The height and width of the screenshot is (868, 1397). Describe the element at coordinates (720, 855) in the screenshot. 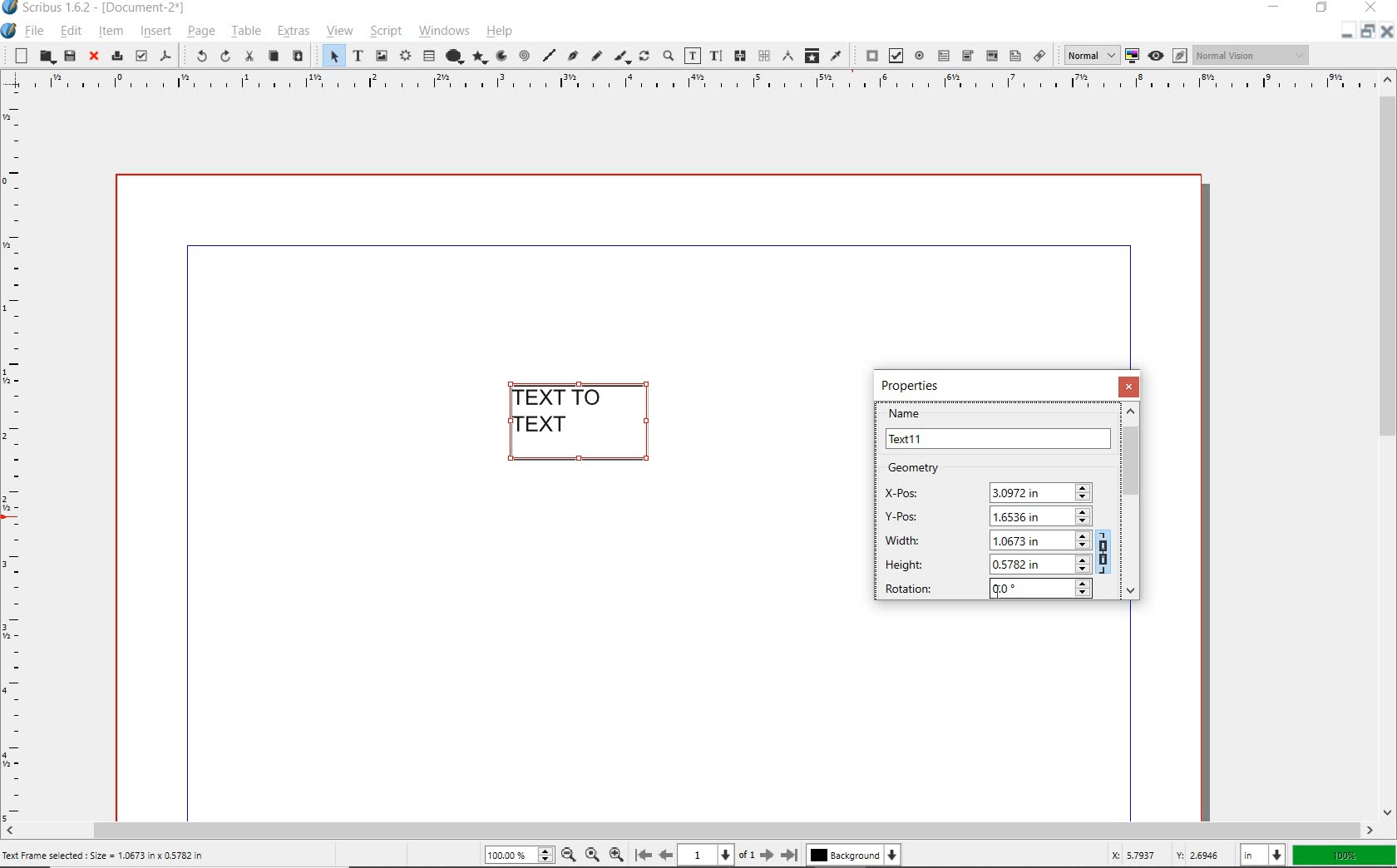

I see `current page` at that location.